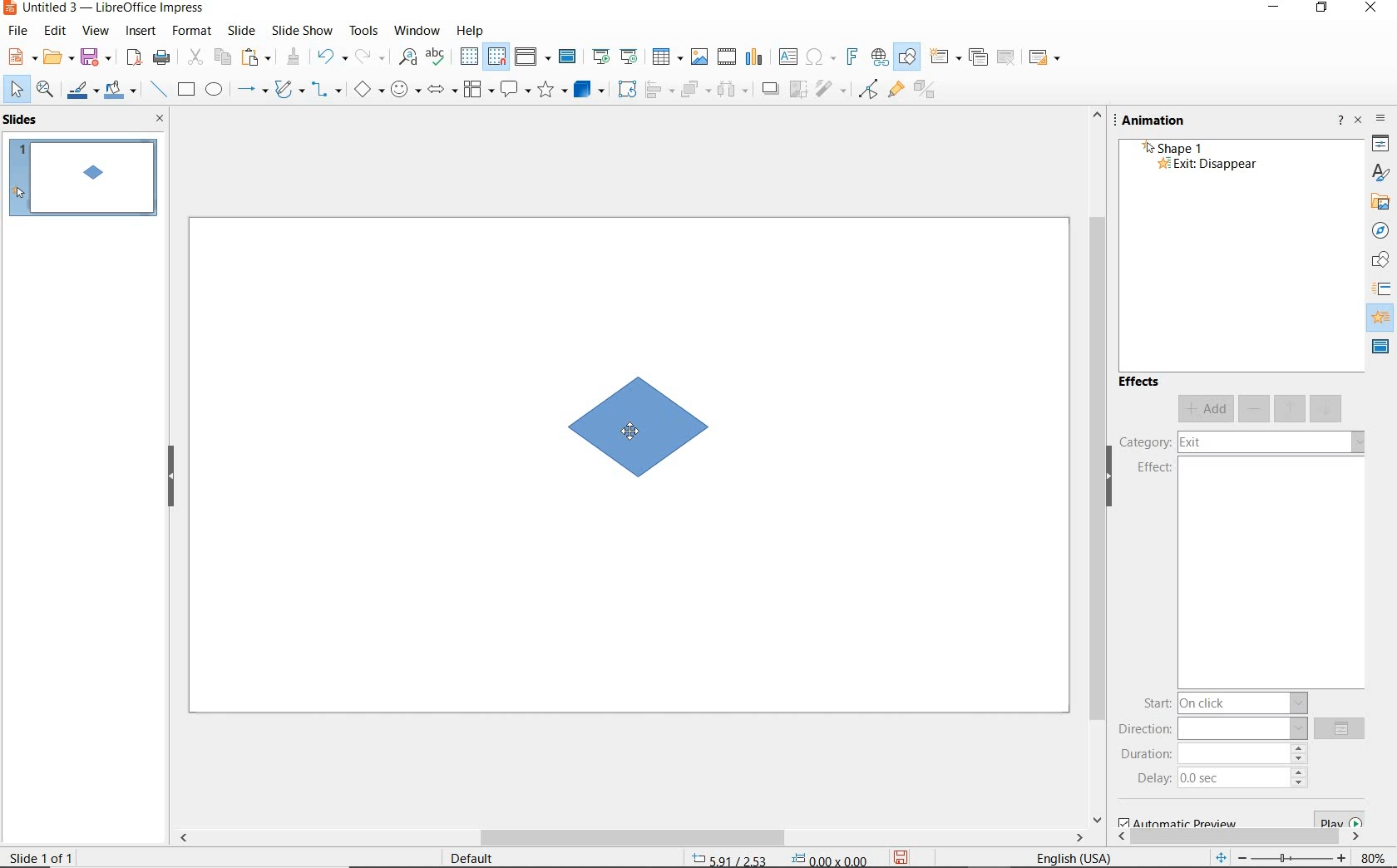 Image resolution: width=1397 pixels, height=868 pixels. Describe the element at coordinates (631, 57) in the screenshot. I see `start from current slide` at that location.